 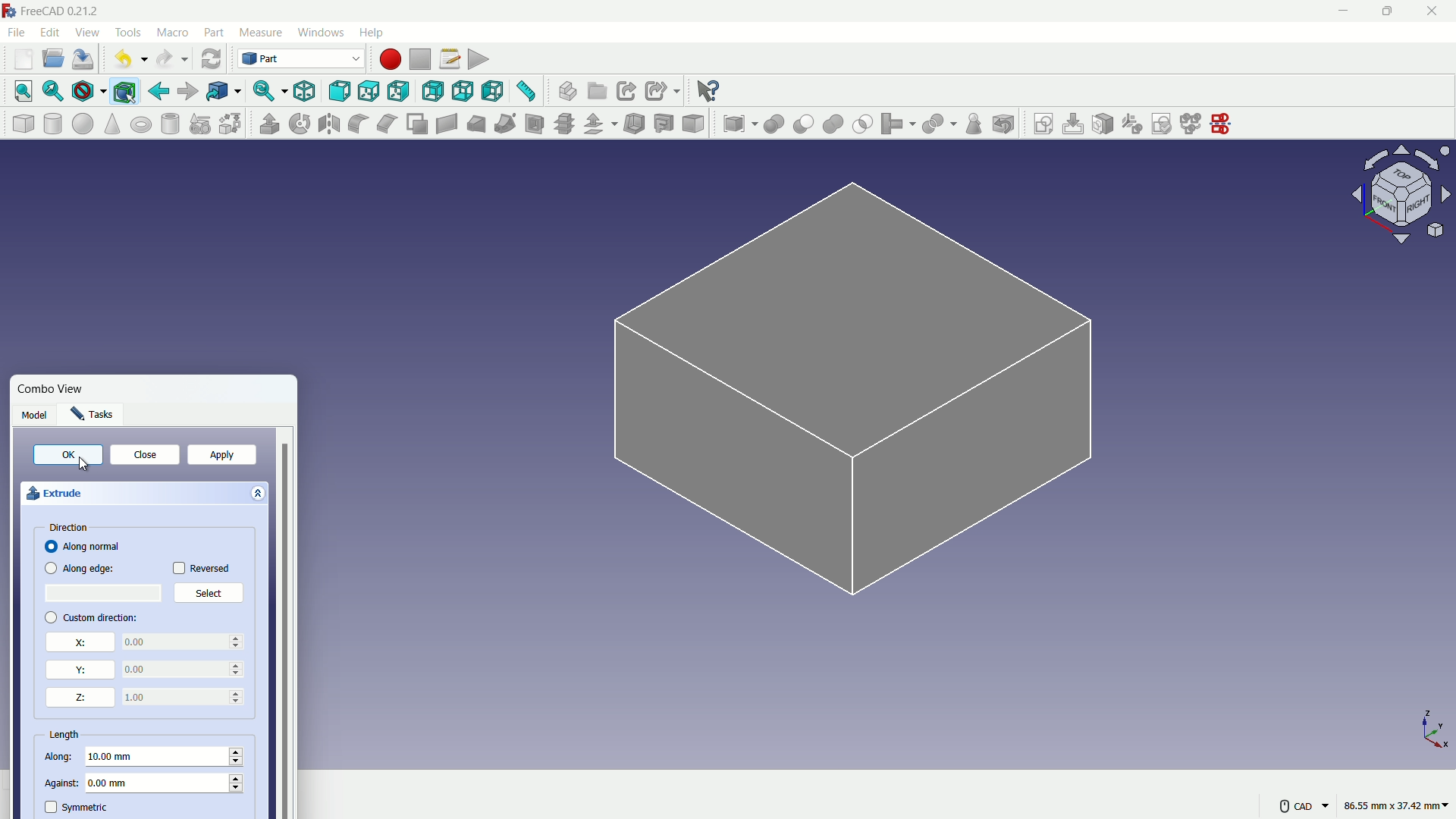 I want to click on front view, so click(x=339, y=90).